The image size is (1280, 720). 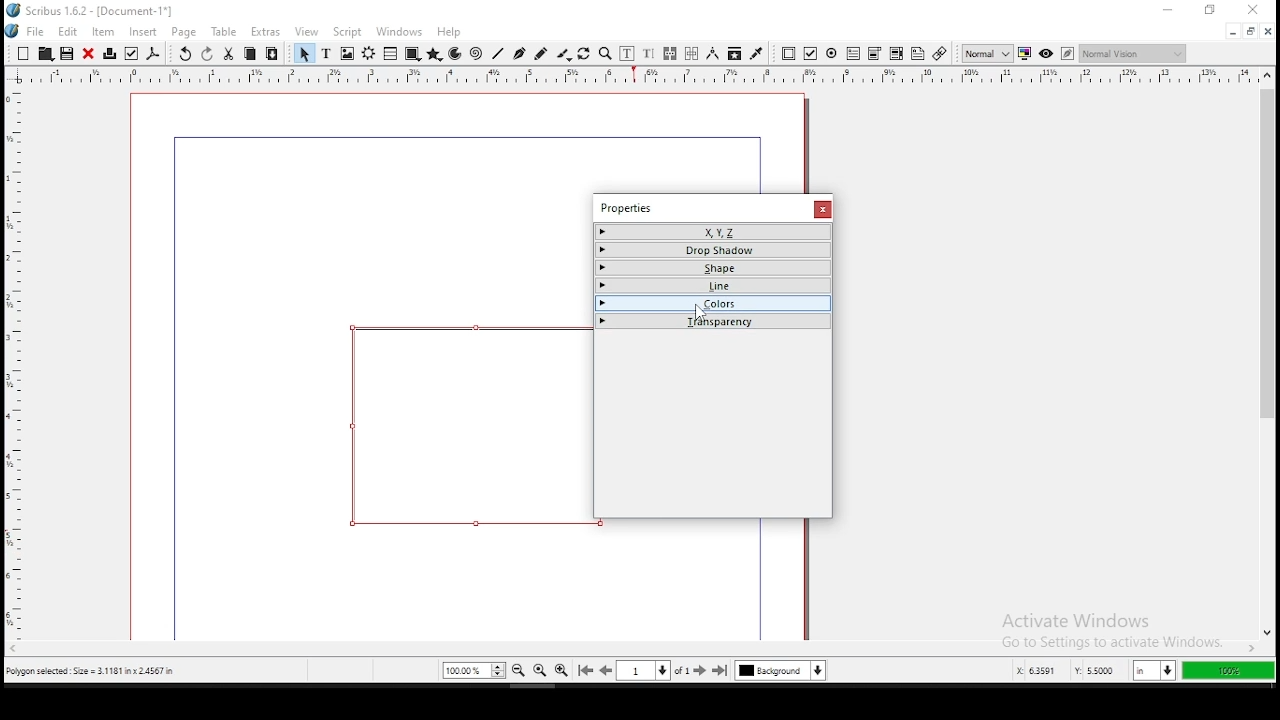 I want to click on save as pdf, so click(x=153, y=54).